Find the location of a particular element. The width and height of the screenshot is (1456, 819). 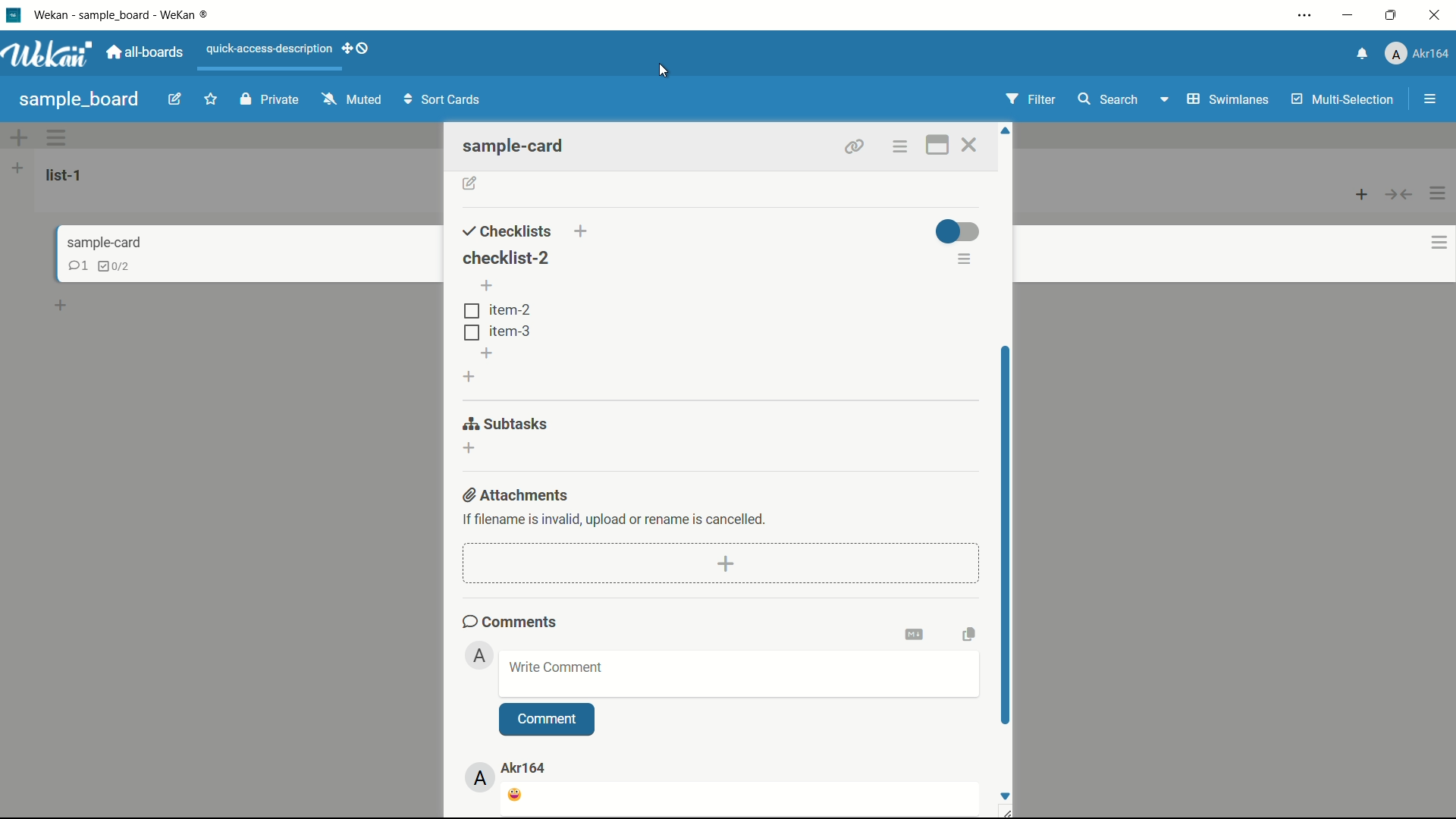

star this board is located at coordinates (212, 101).